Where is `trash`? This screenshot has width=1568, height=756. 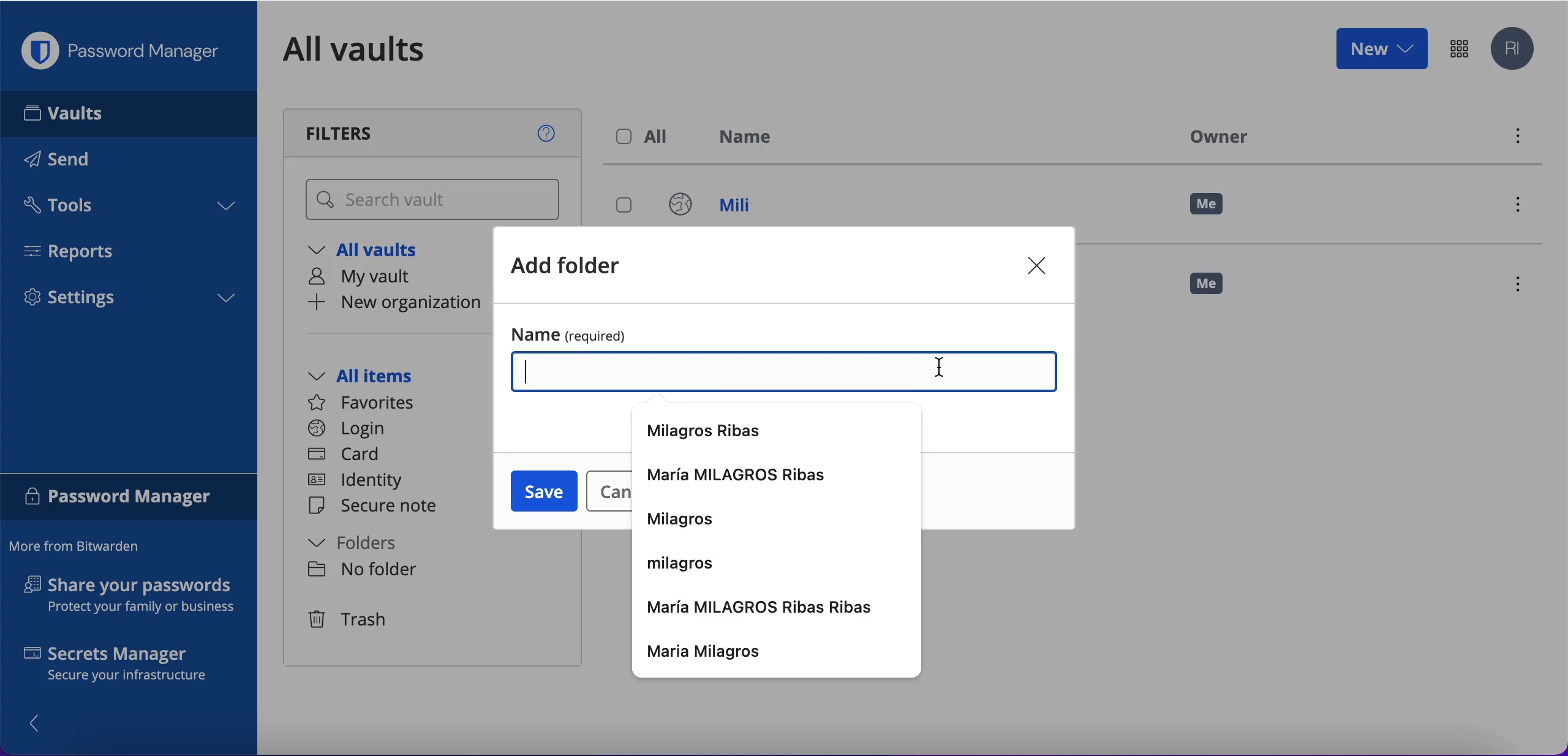
trash is located at coordinates (350, 621).